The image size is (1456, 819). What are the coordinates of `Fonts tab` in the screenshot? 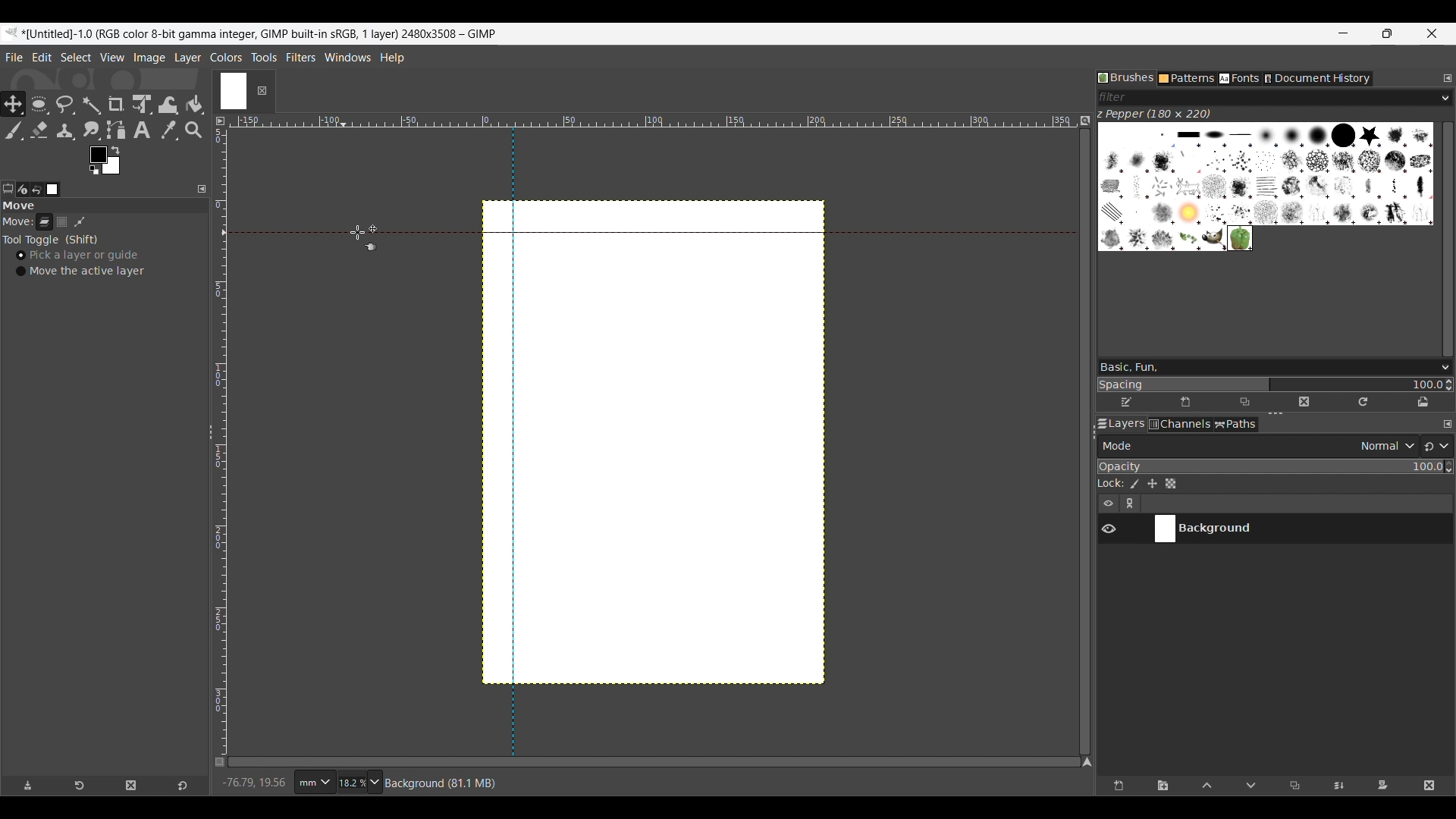 It's located at (1239, 79).